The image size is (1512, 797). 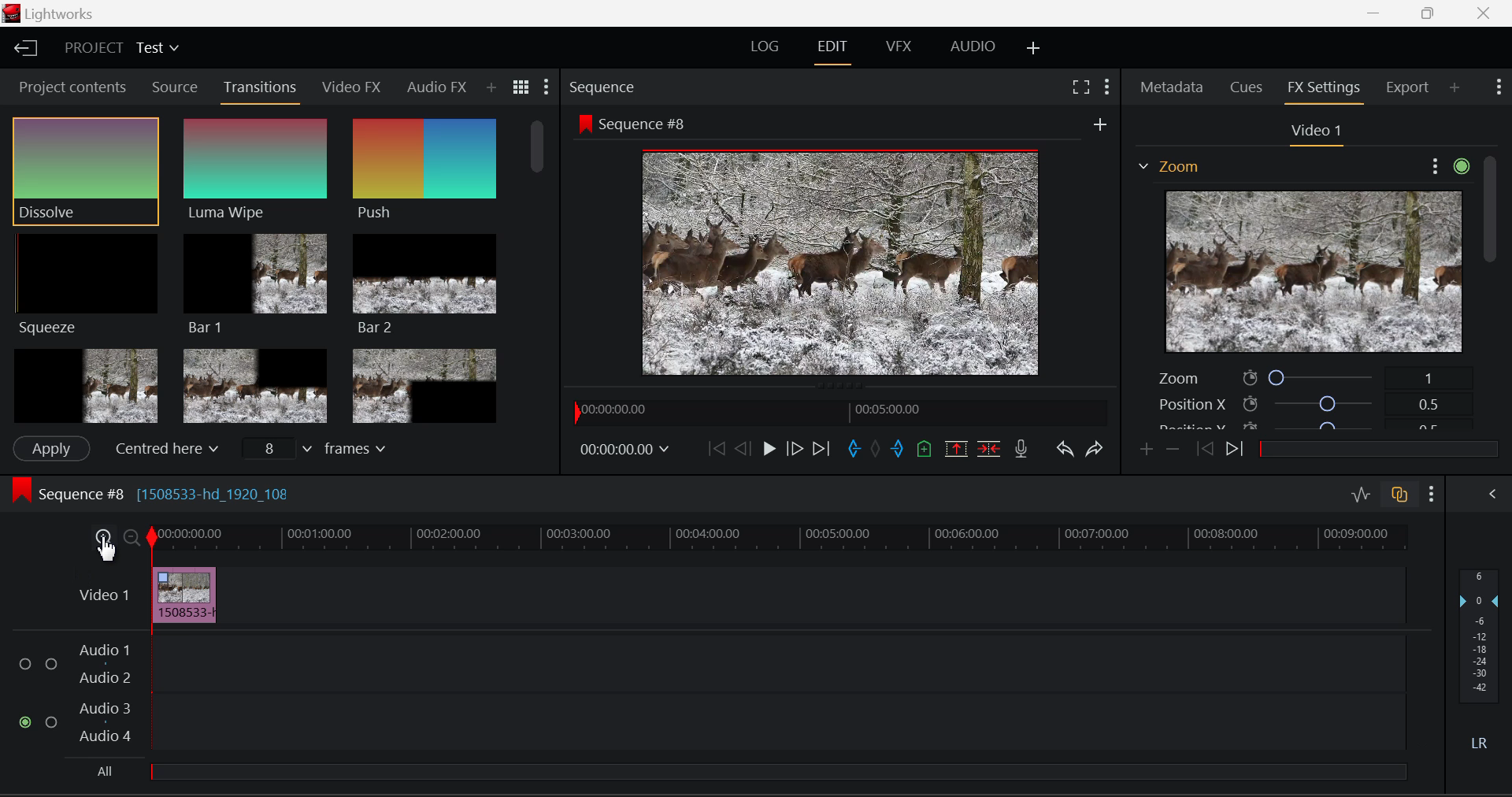 What do you see at coordinates (1021, 450) in the screenshot?
I see `Record Voiceover` at bounding box center [1021, 450].